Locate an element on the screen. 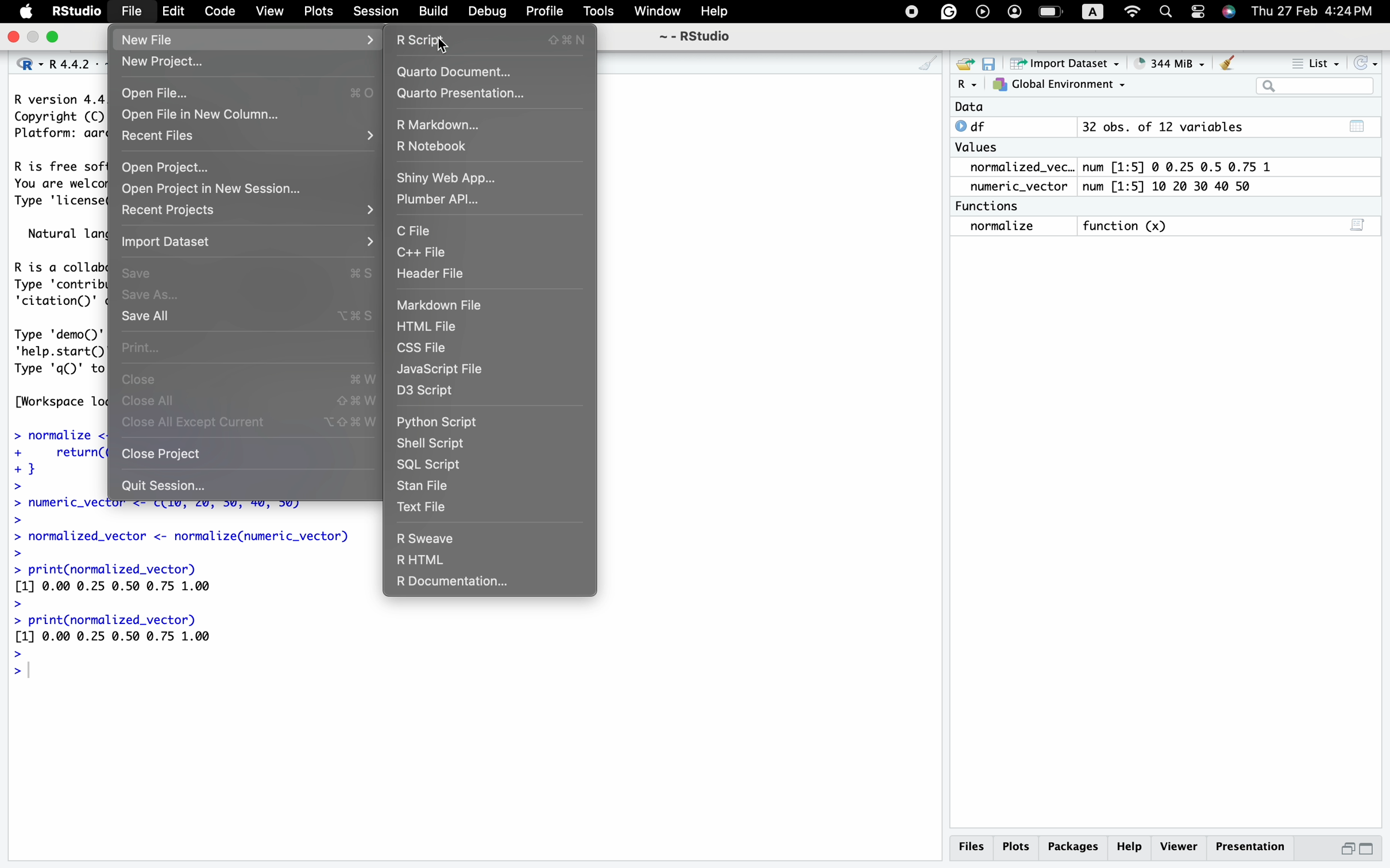 The image size is (1390, 868). > normalized_vector <- normalize(numeric_vector)
>

> print(normalized_vector)

[1] 0.00 0.25 0.50 @.75 1.00

>

> print(normalized_vector)

[1] 0.00 0.25 0.50 0.75 1.00 is located at coordinates (186, 587).